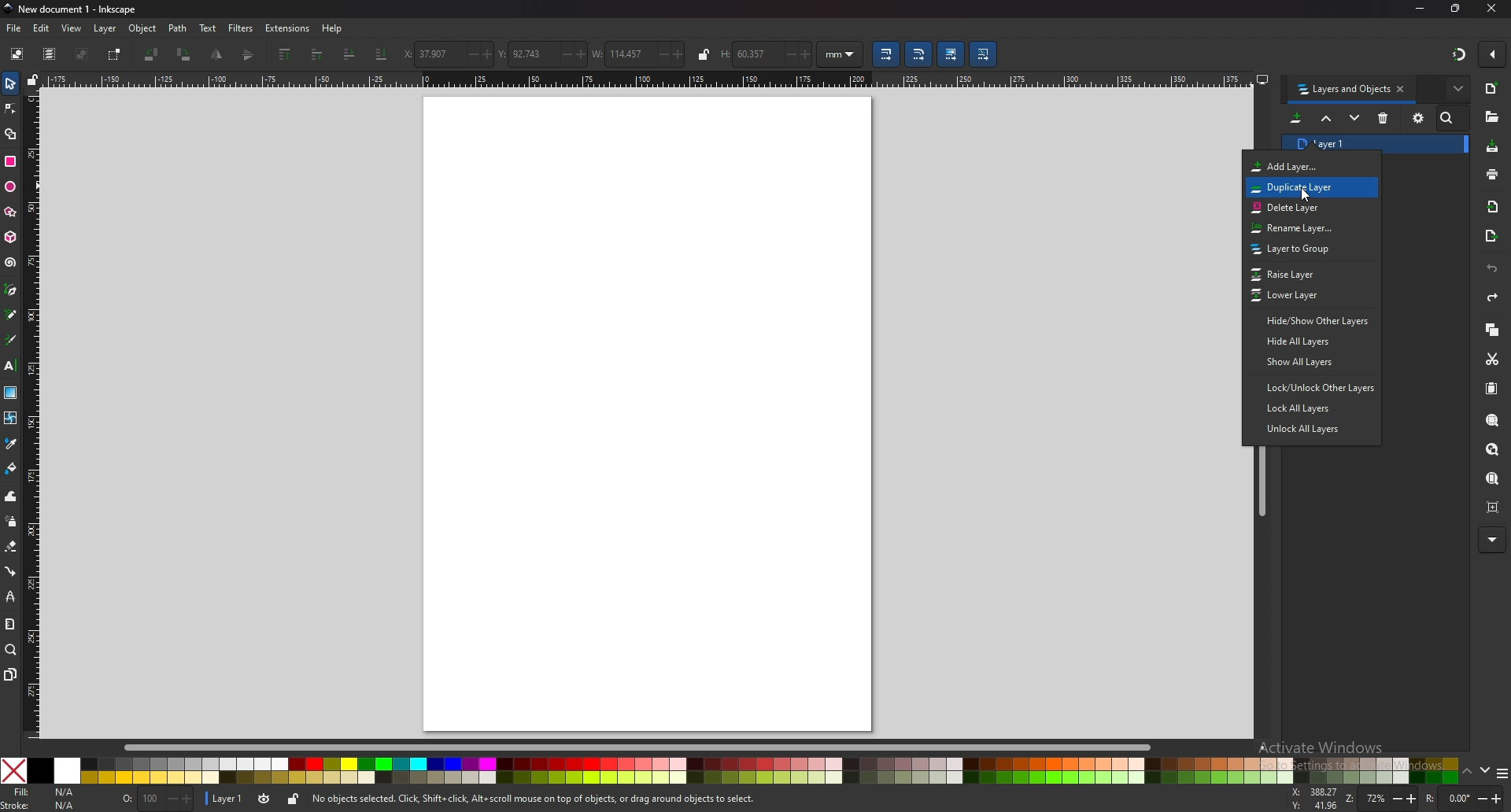 The width and height of the screenshot is (1511, 812). Describe the element at coordinates (1493, 206) in the screenshot. I see `import` at that location.